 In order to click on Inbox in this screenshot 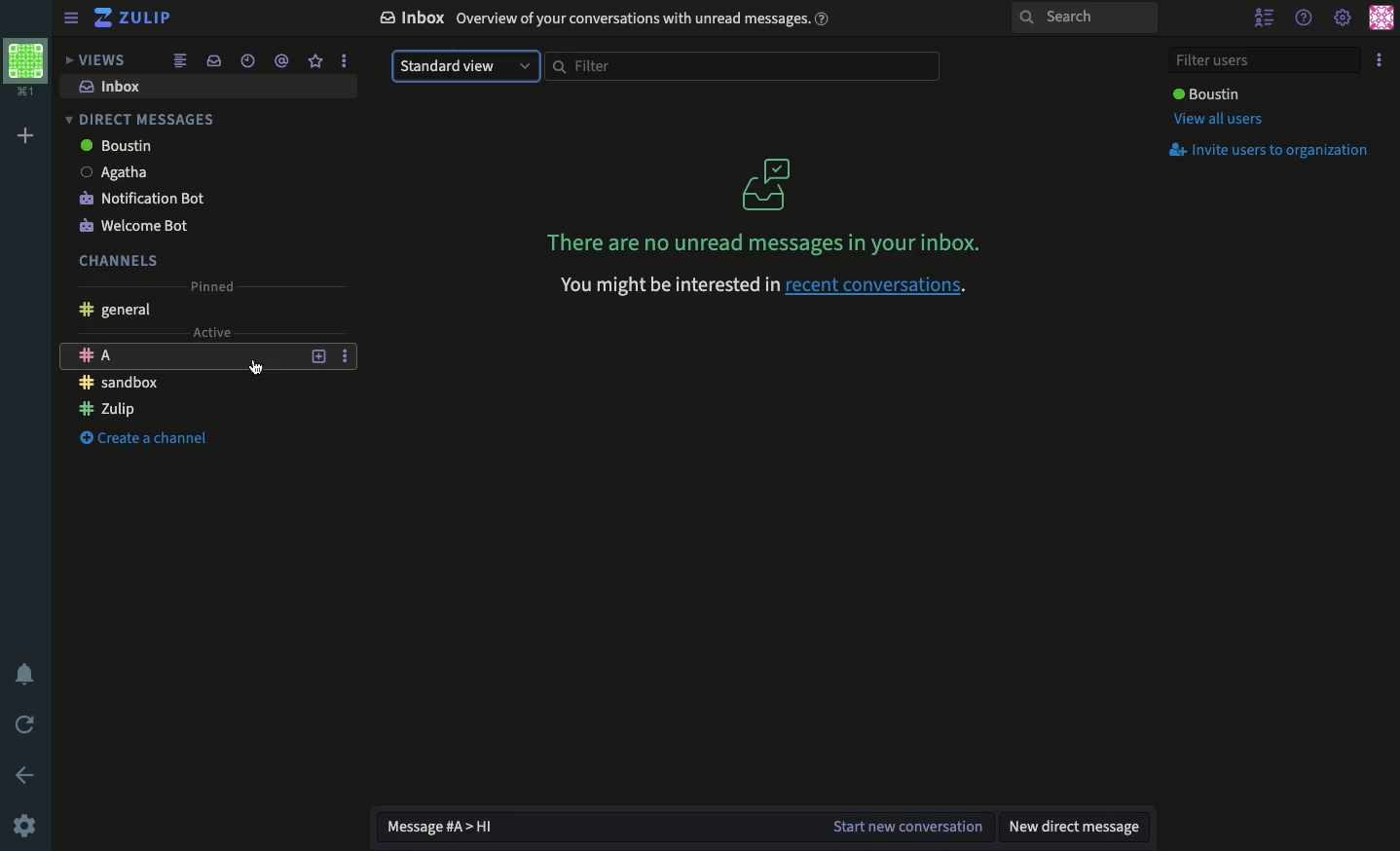, I will do `click(117, 90)`.